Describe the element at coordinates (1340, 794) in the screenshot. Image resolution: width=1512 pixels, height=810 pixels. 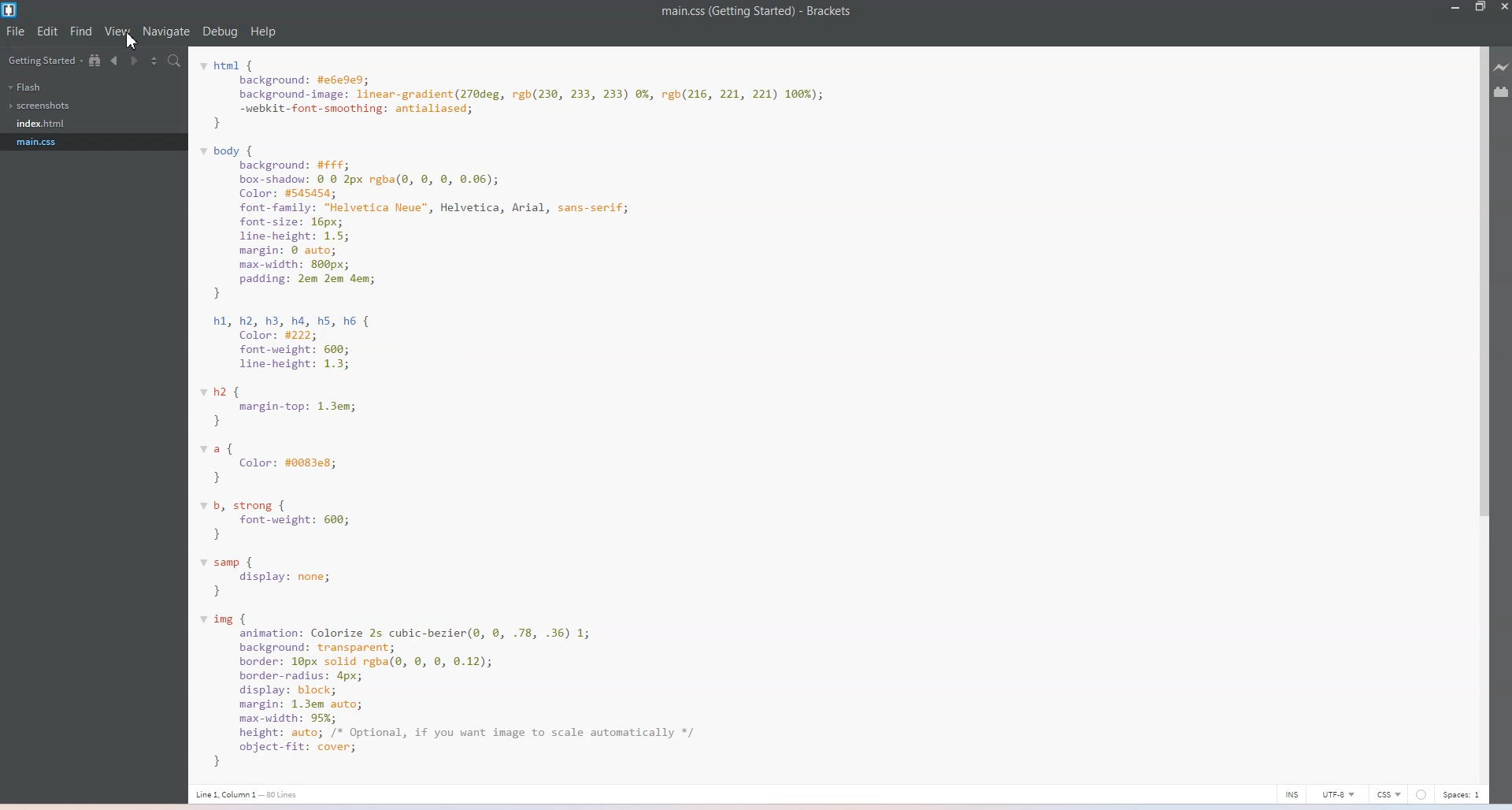
I see `UTF-8` at that location.